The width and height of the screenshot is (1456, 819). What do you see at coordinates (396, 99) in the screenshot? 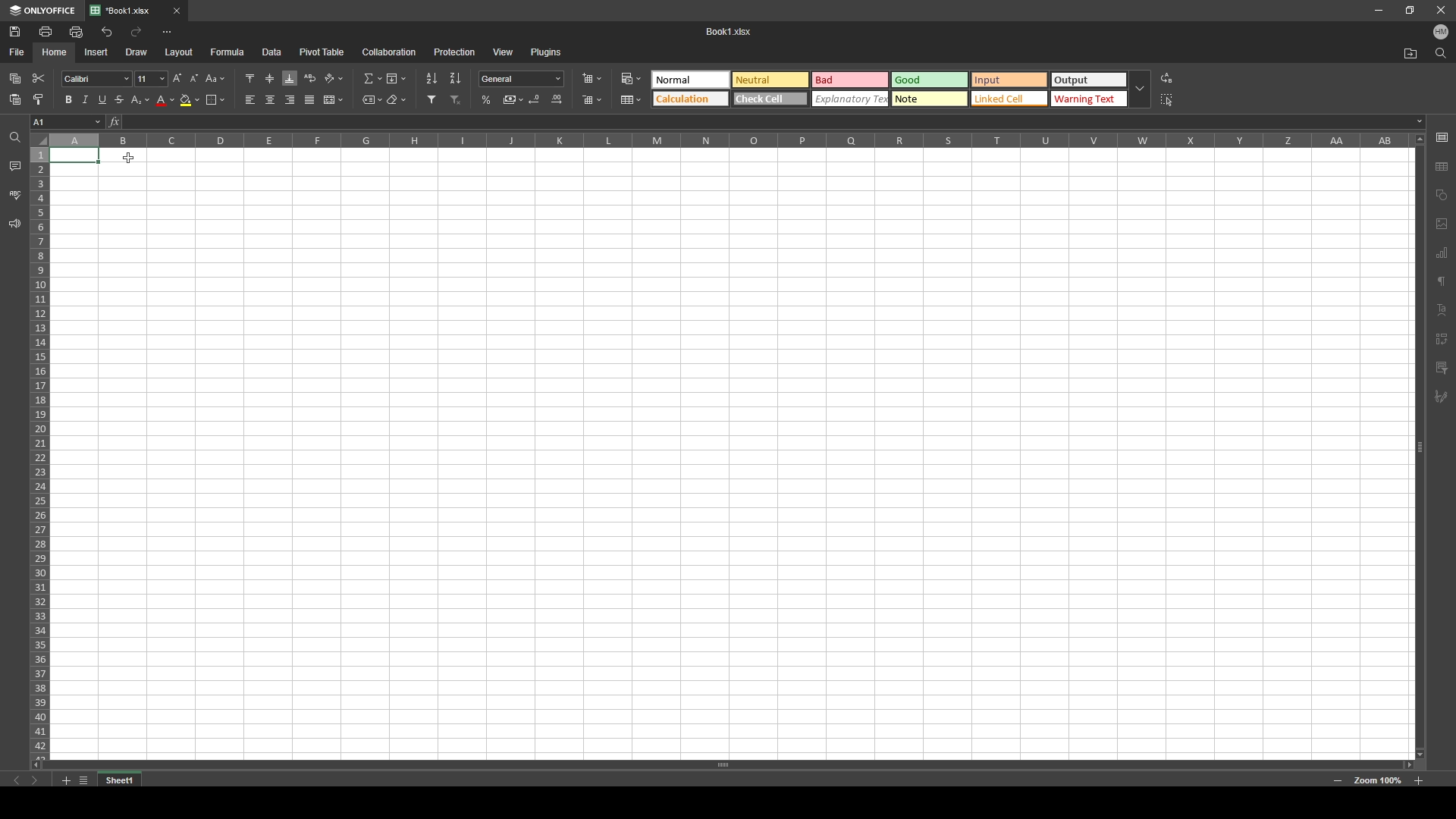
I see `clear` at bounding box center [396, 99].